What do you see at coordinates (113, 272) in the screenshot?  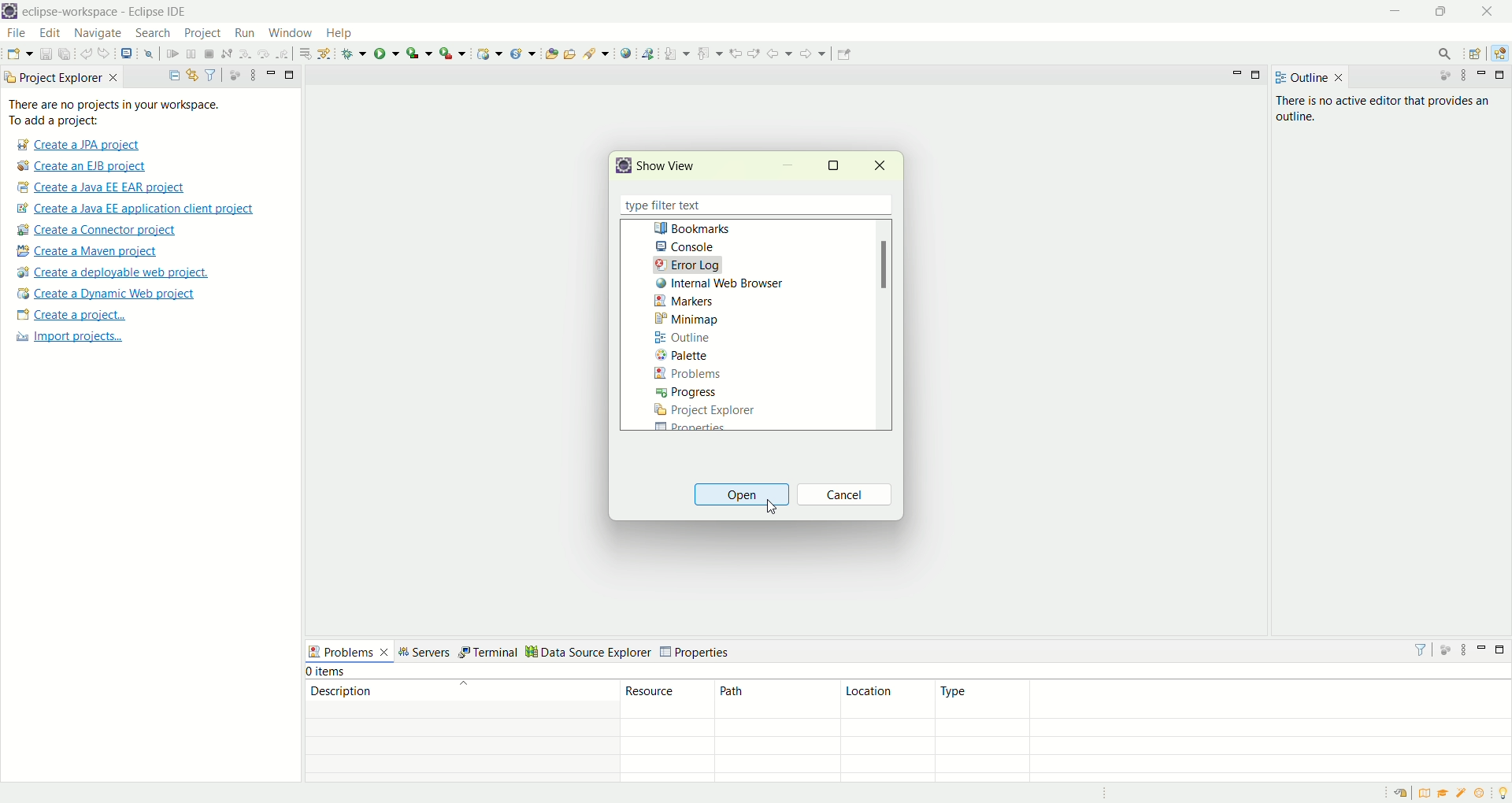 I see `create a deployable web project` at bounding box center [113, 272].